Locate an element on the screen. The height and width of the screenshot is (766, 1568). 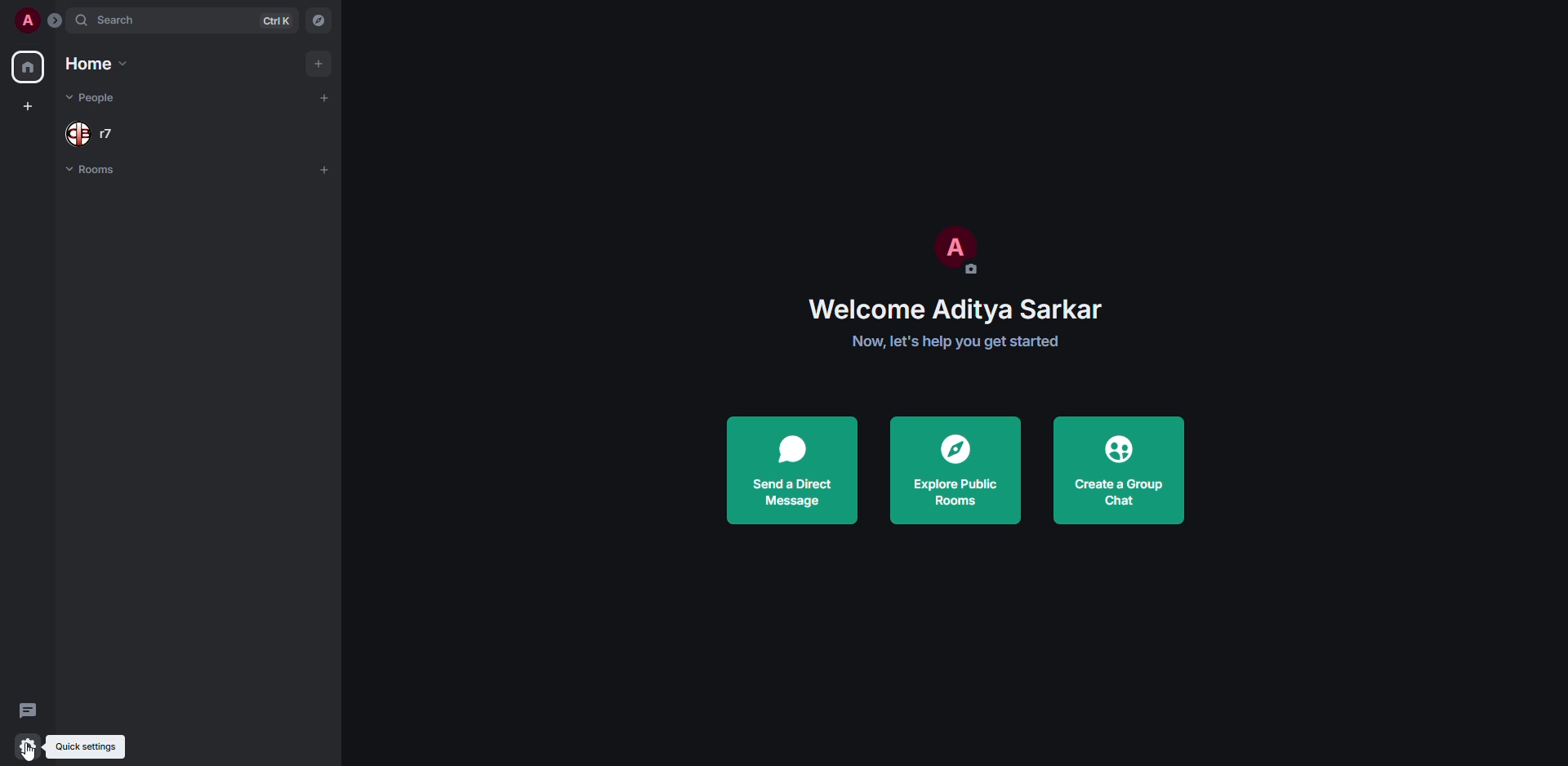
threads is located at coordinates (29, 709).